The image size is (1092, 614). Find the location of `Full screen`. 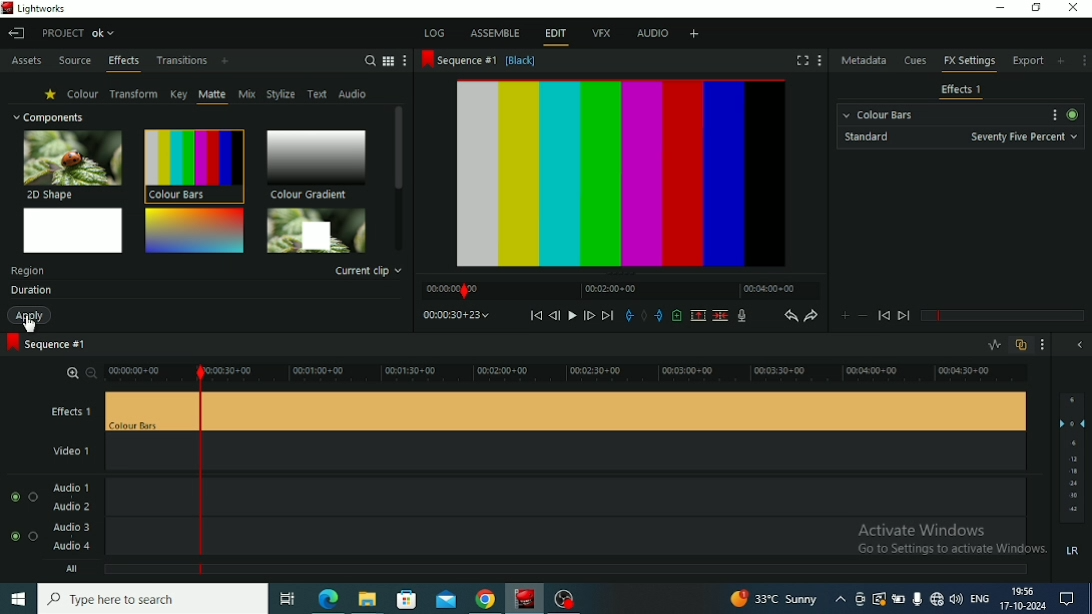

Full screen is located at coordinates (803, 60).